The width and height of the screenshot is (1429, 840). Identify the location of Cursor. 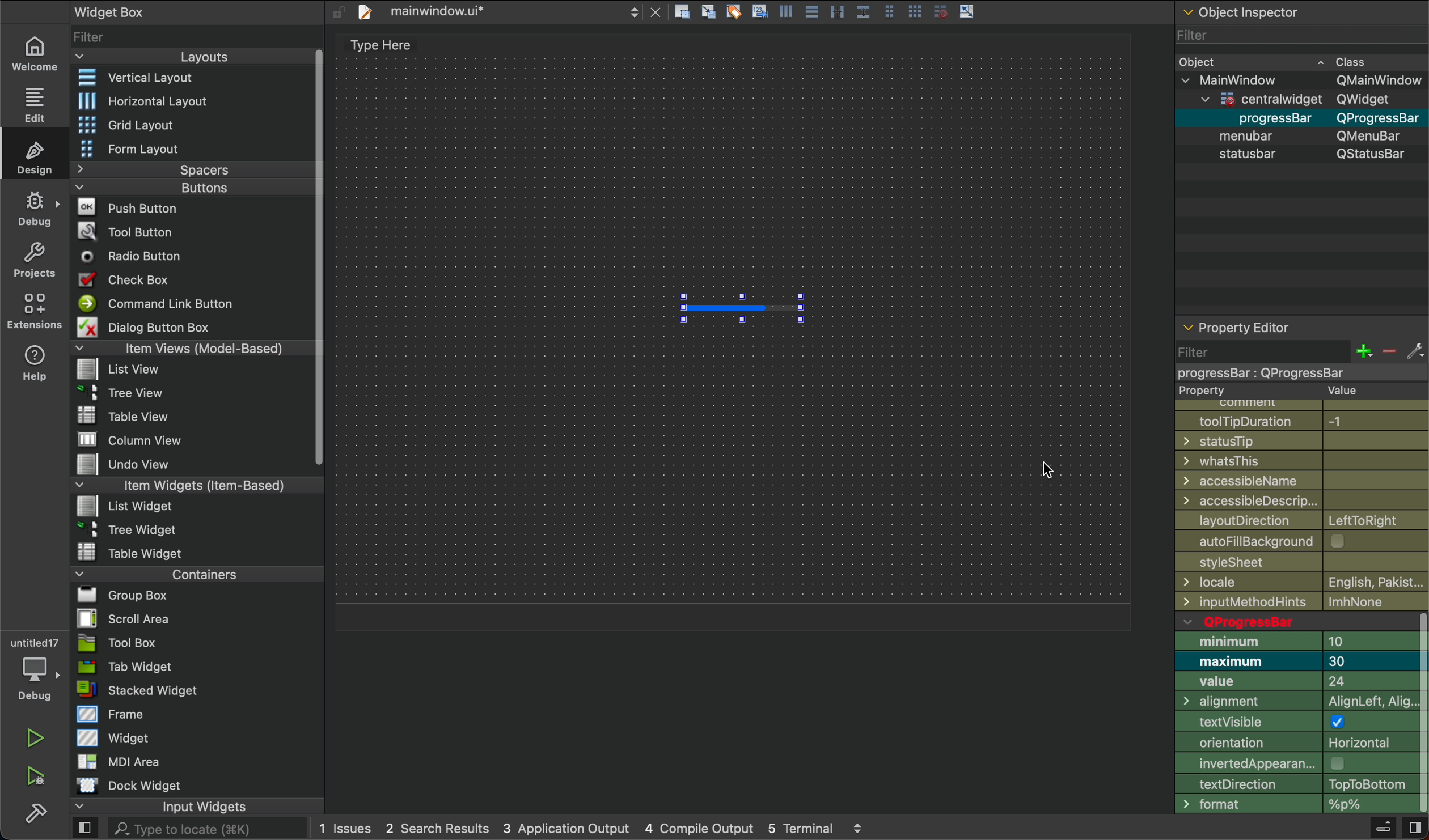
(1040, 472).